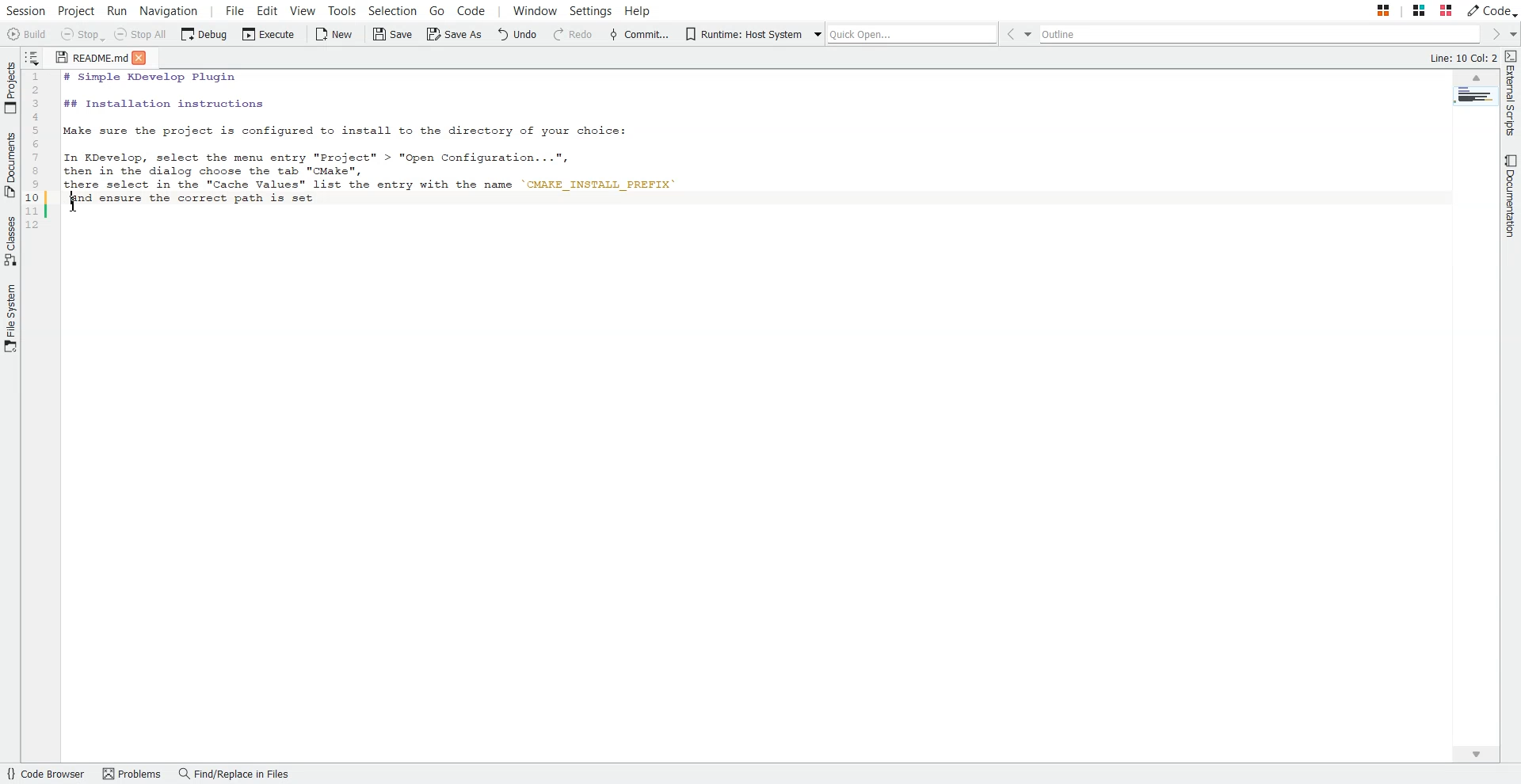  What do you see at coordinates (140, 35) in the screenshot?
I see `Stop all` at bounding box center [140, 35].